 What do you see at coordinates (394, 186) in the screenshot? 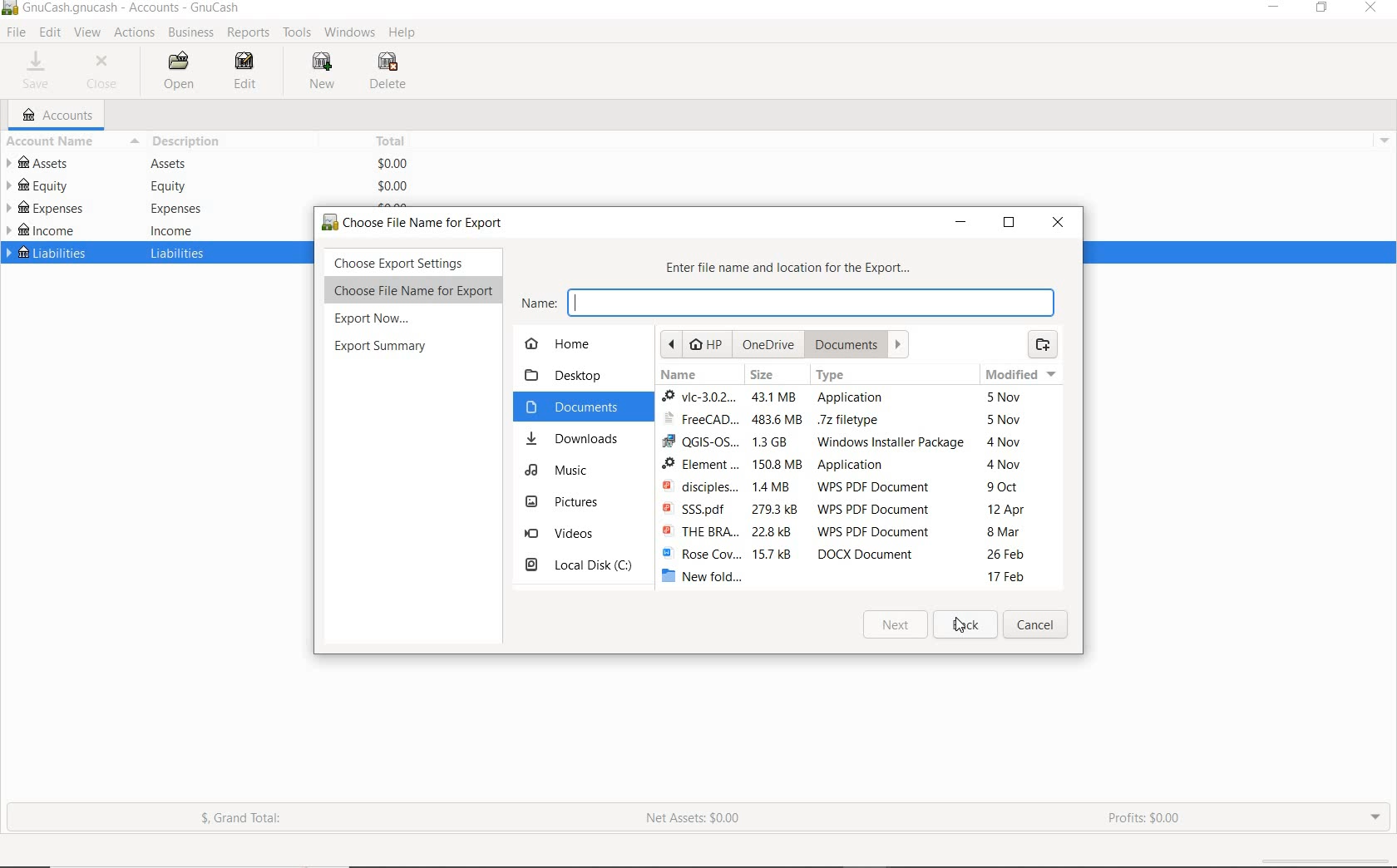
I see `$0.00` at bounding box center [394, 186].